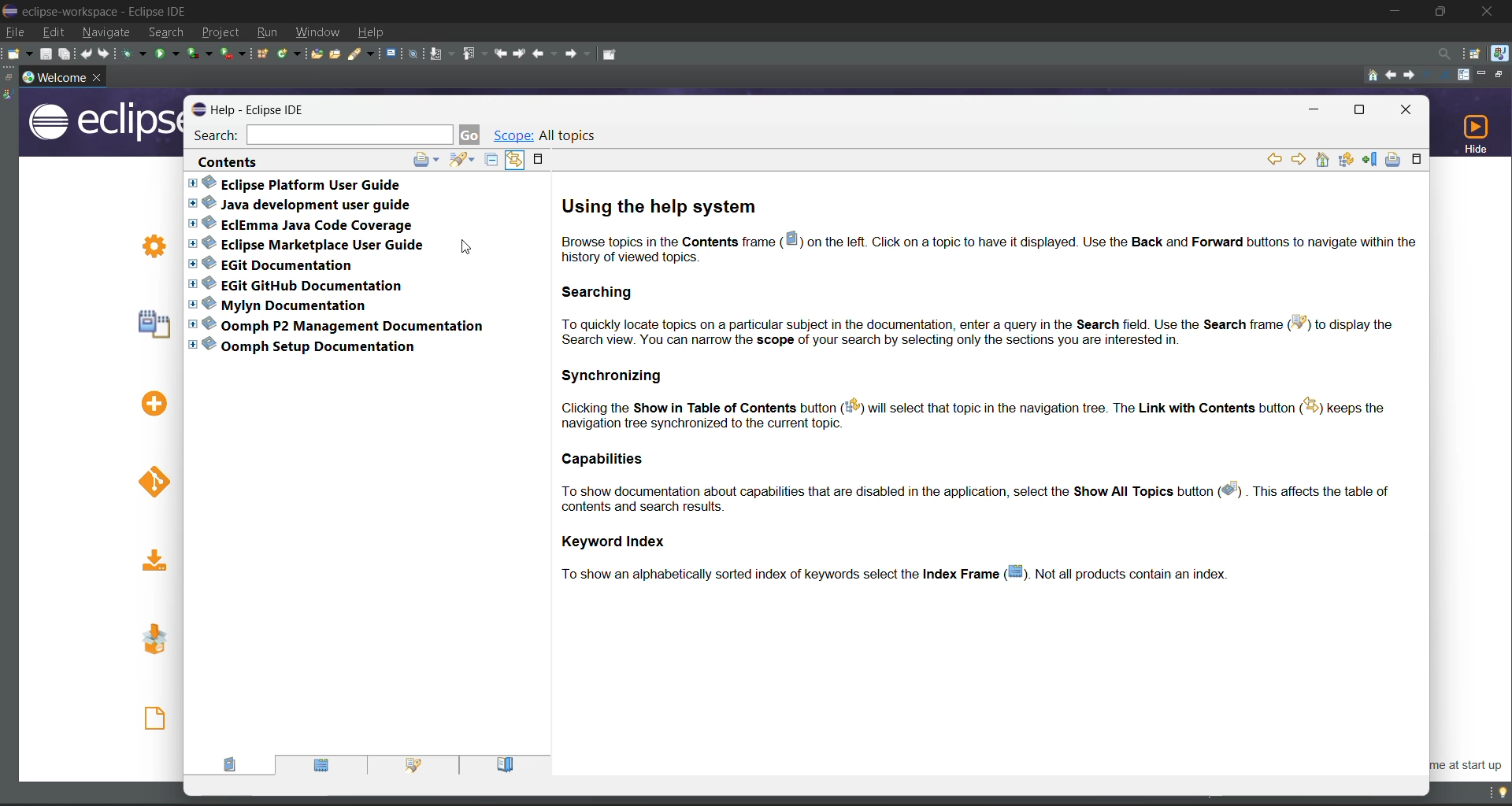 Image resolution: width=1512 pixels, height=806 pixels. I want to click on maximize, so click(1364, 112).